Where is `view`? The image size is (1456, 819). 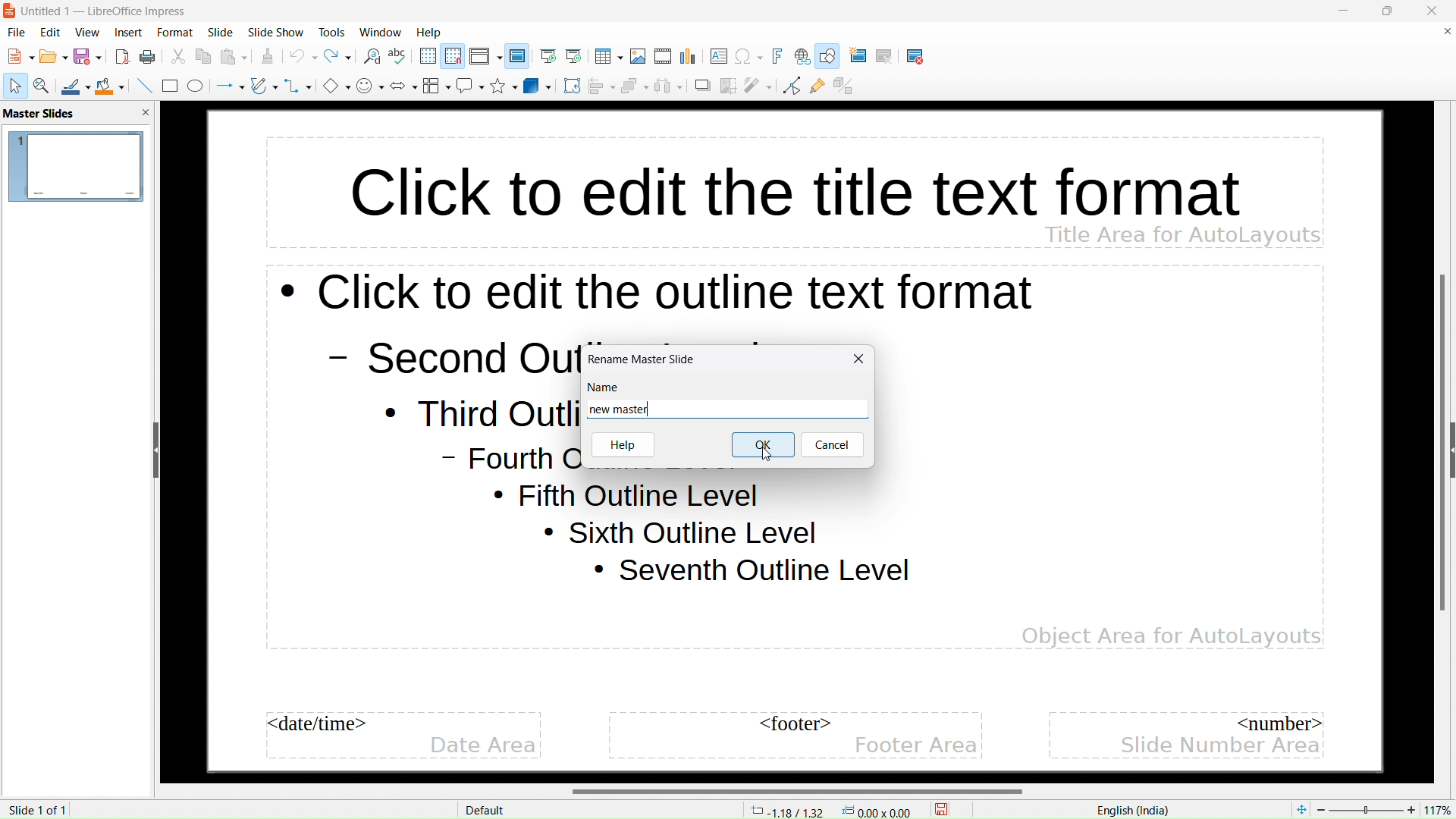 view is located at coordinates (87, 33).